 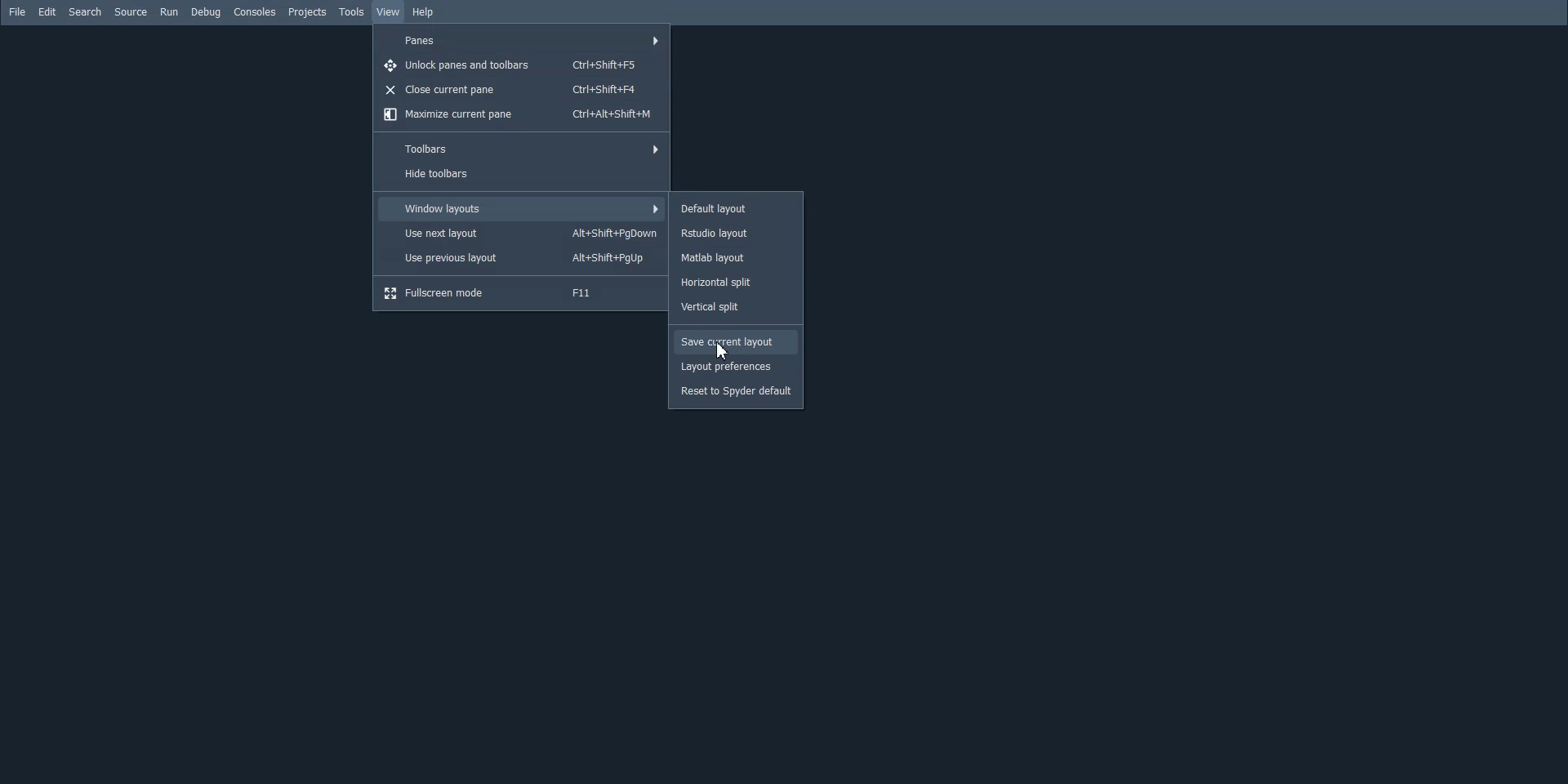 What do you see at coordinates (521, 175) in the screenshot?
I see `Hide toolbars` at bounding box center [521, 175].